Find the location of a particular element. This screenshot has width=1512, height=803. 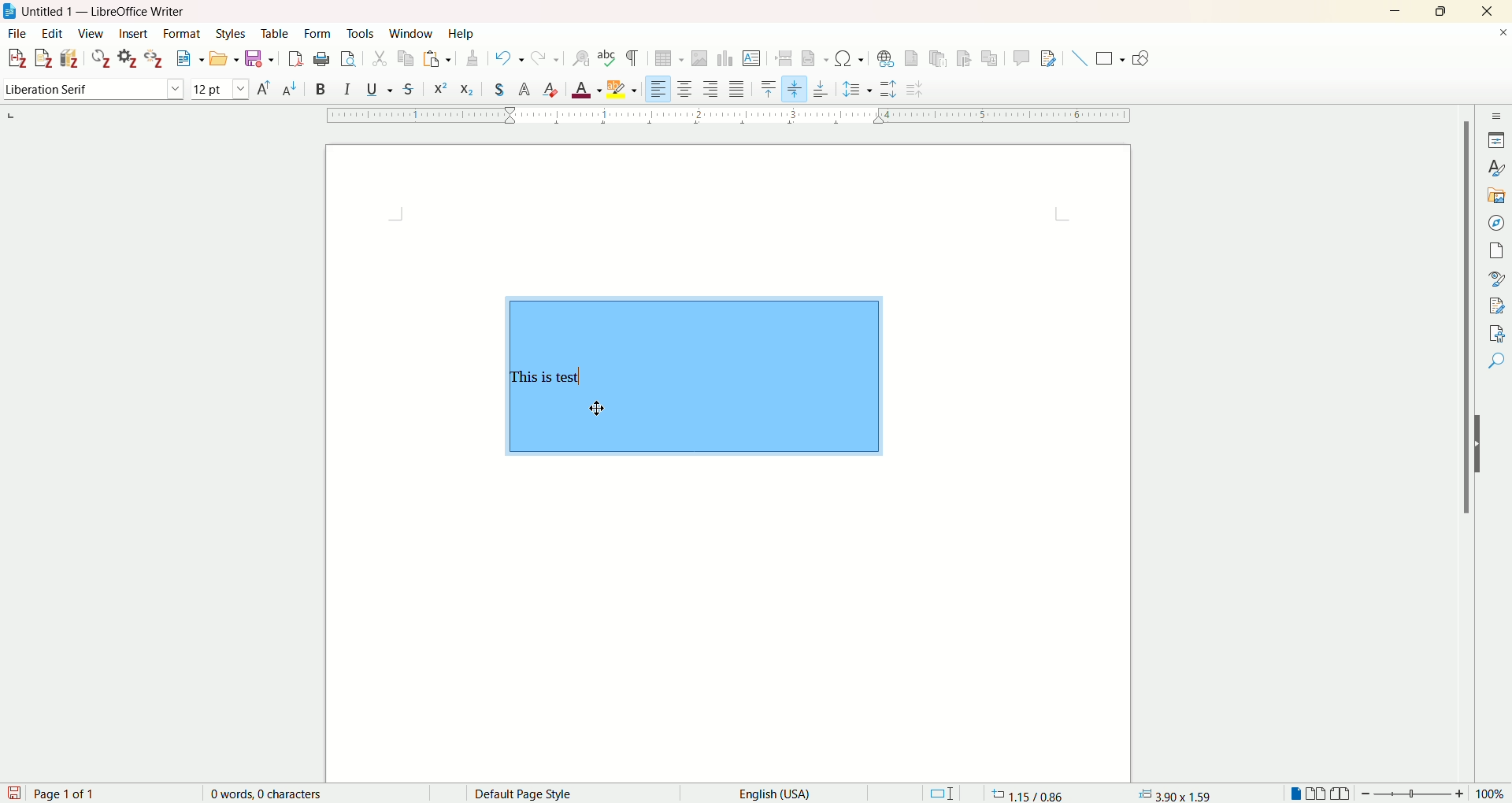

area styling is located at coordinates (724, 88).